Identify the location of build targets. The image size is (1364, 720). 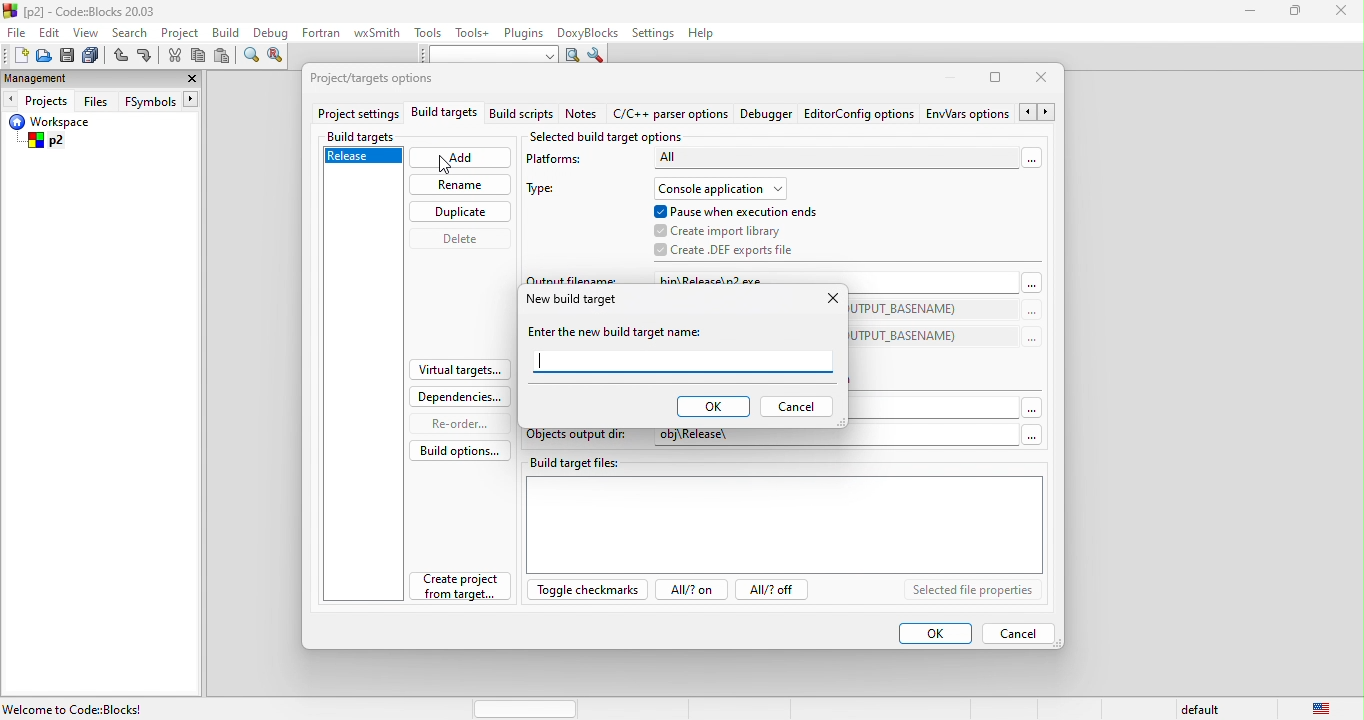
(377, 134).